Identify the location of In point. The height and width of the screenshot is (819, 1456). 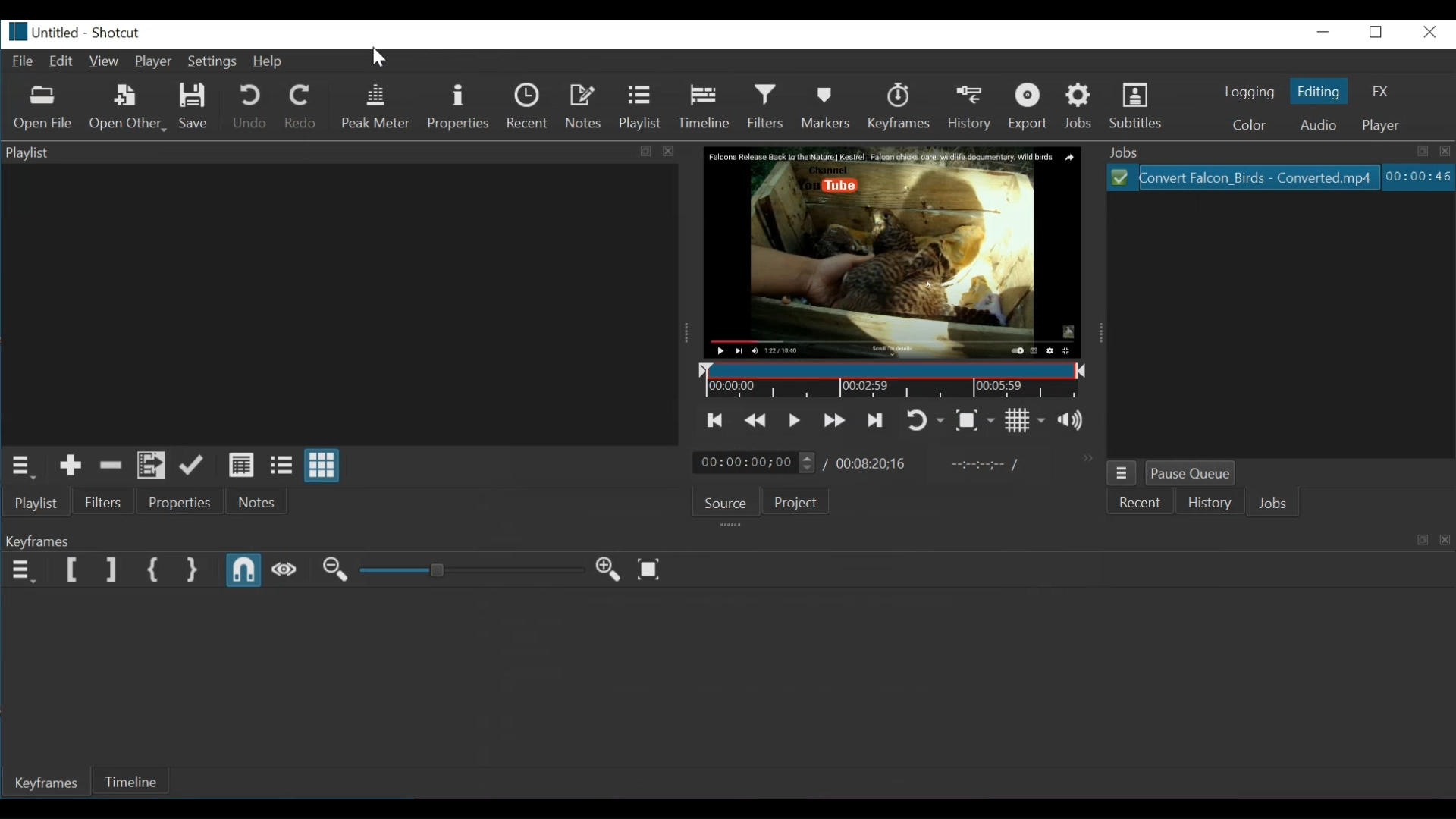
(989, 466).